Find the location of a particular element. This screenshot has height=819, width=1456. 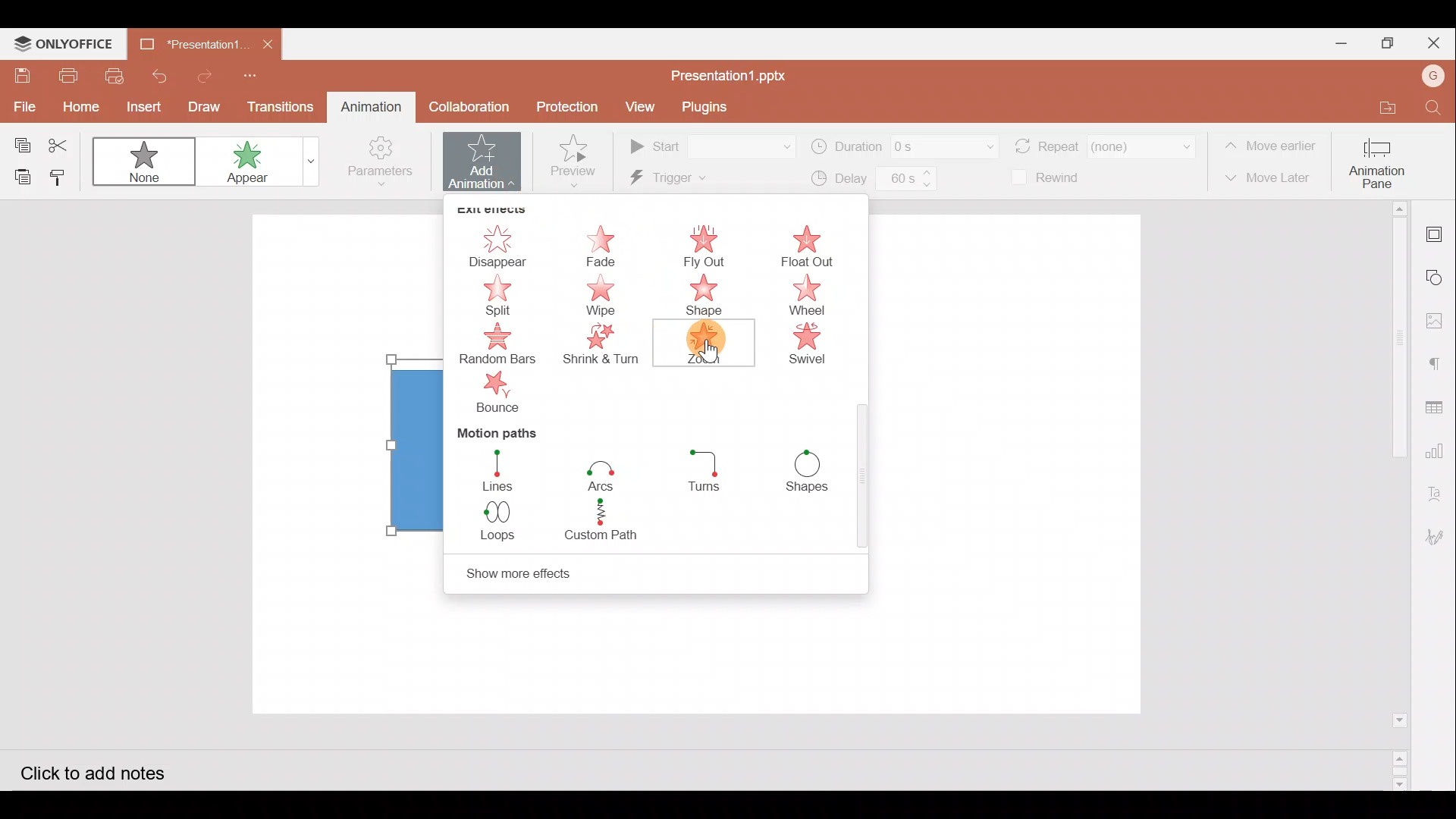

None is located at coordinates (146, 156).